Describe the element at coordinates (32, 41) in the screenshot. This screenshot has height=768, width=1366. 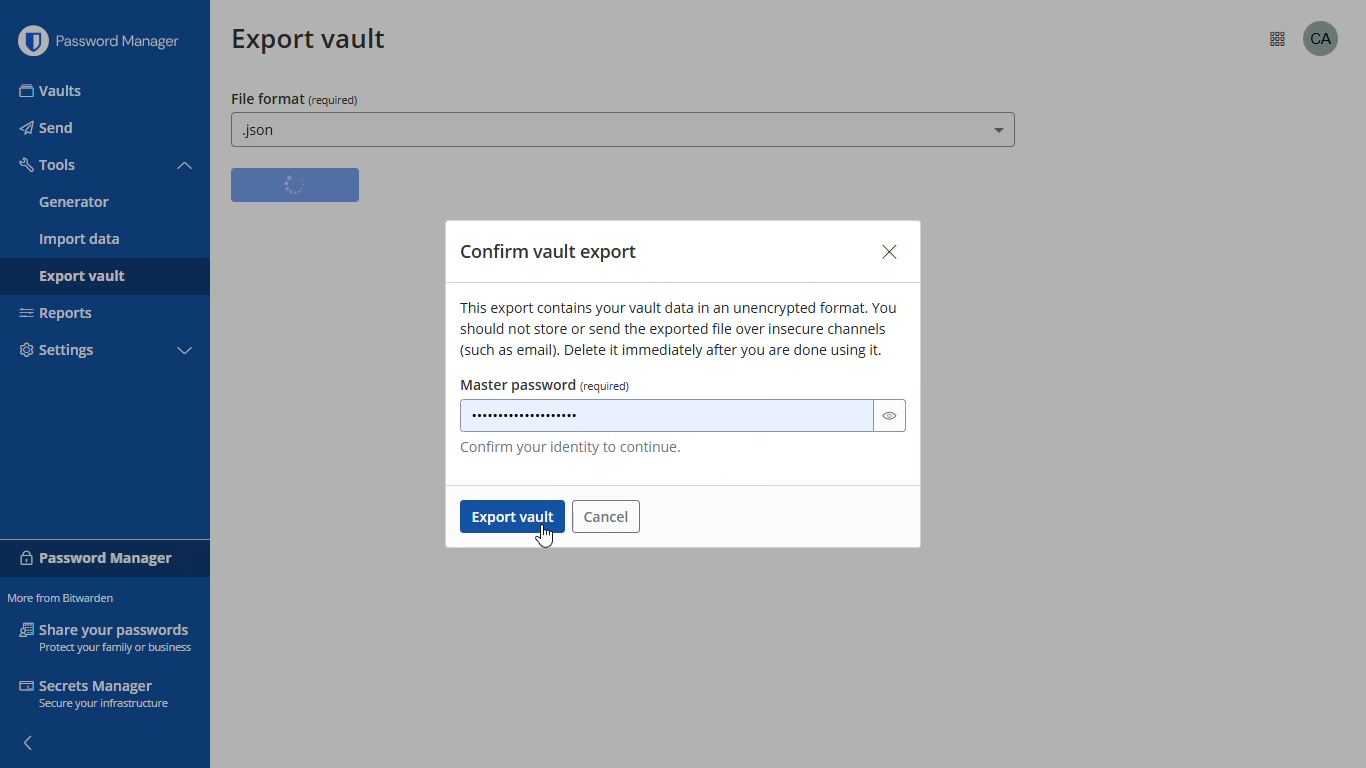
I see `logo` at that location.